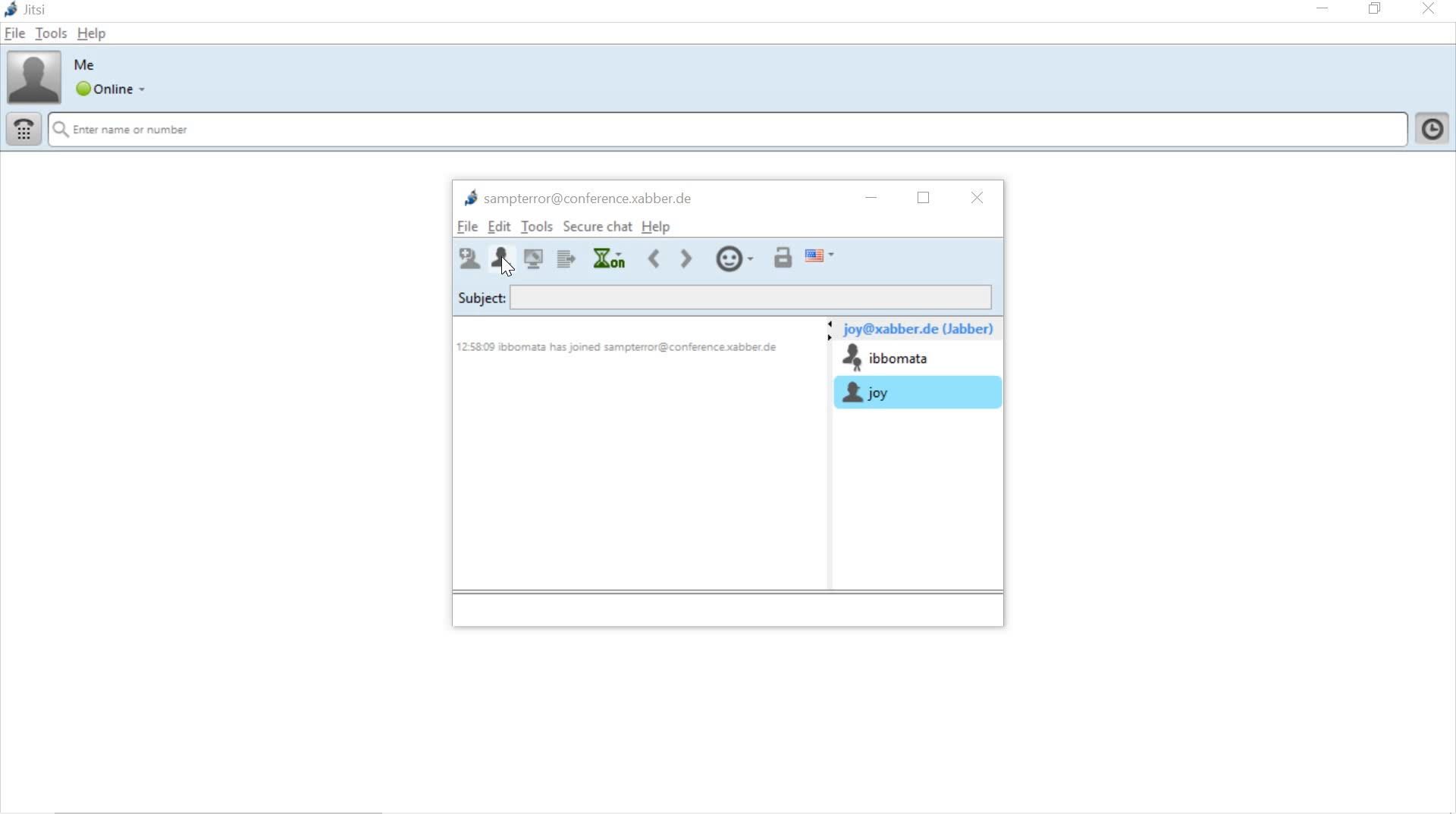 This screenshot has width=1456, height=814. Describe the element at coordinates (50, 33) in the screenshot. I see `tools` at that location.